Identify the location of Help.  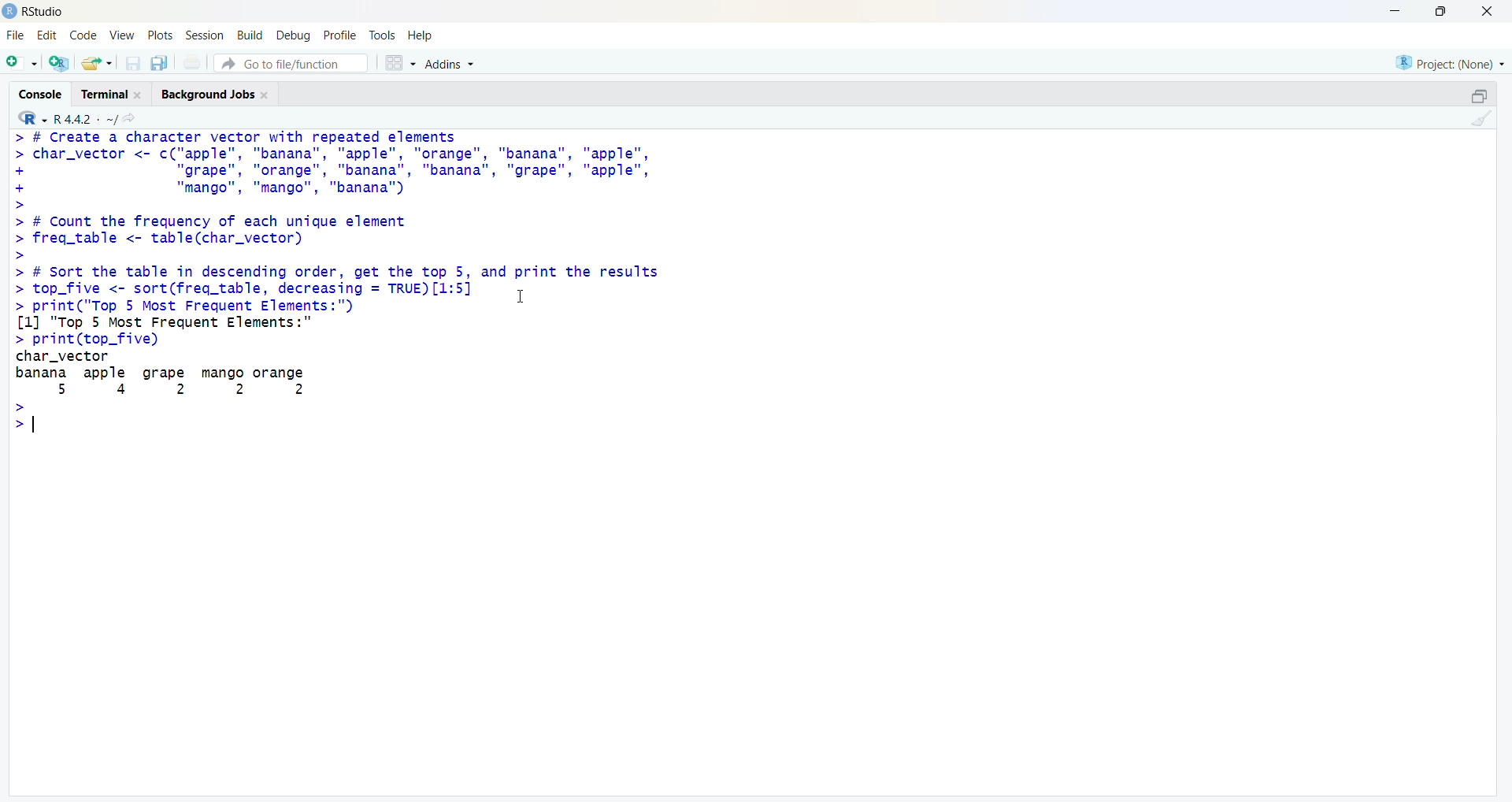
(426, 37).